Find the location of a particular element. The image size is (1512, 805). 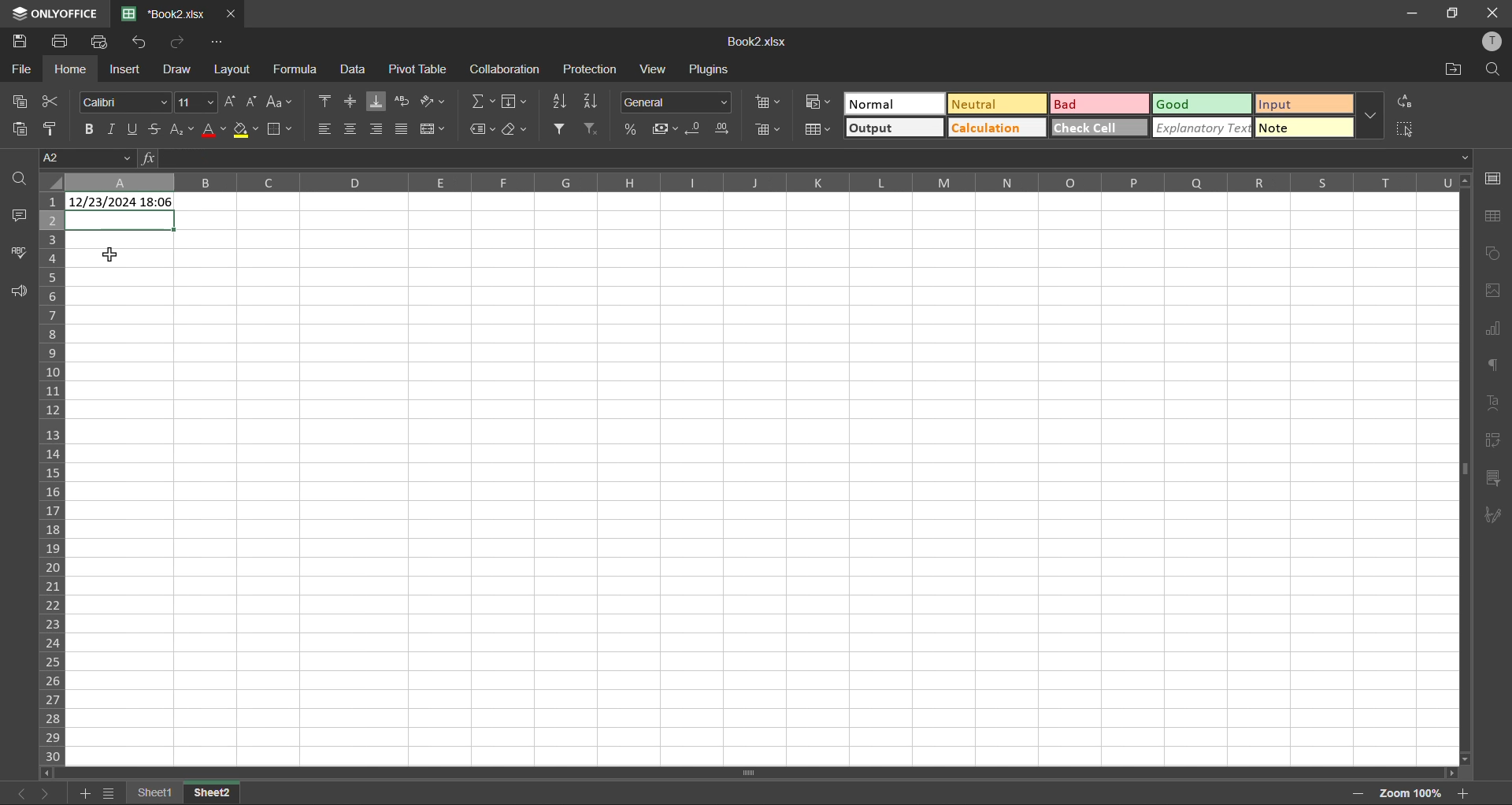

output is located at coordinates (892, 128).